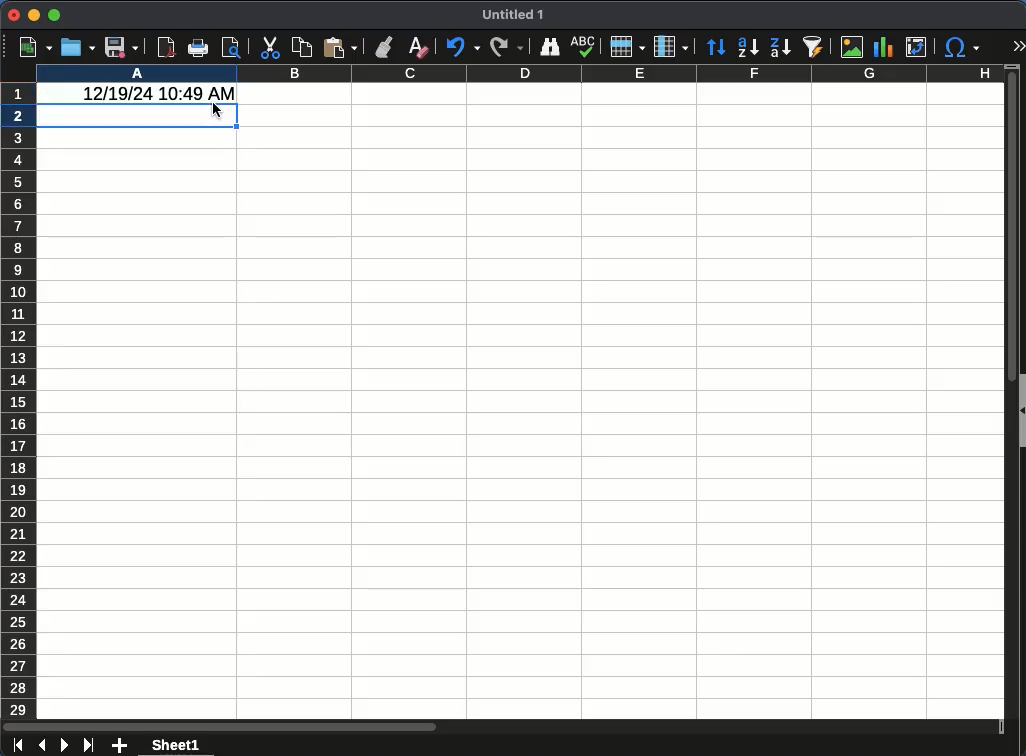  I want to click on print preview, so click(231, 47).